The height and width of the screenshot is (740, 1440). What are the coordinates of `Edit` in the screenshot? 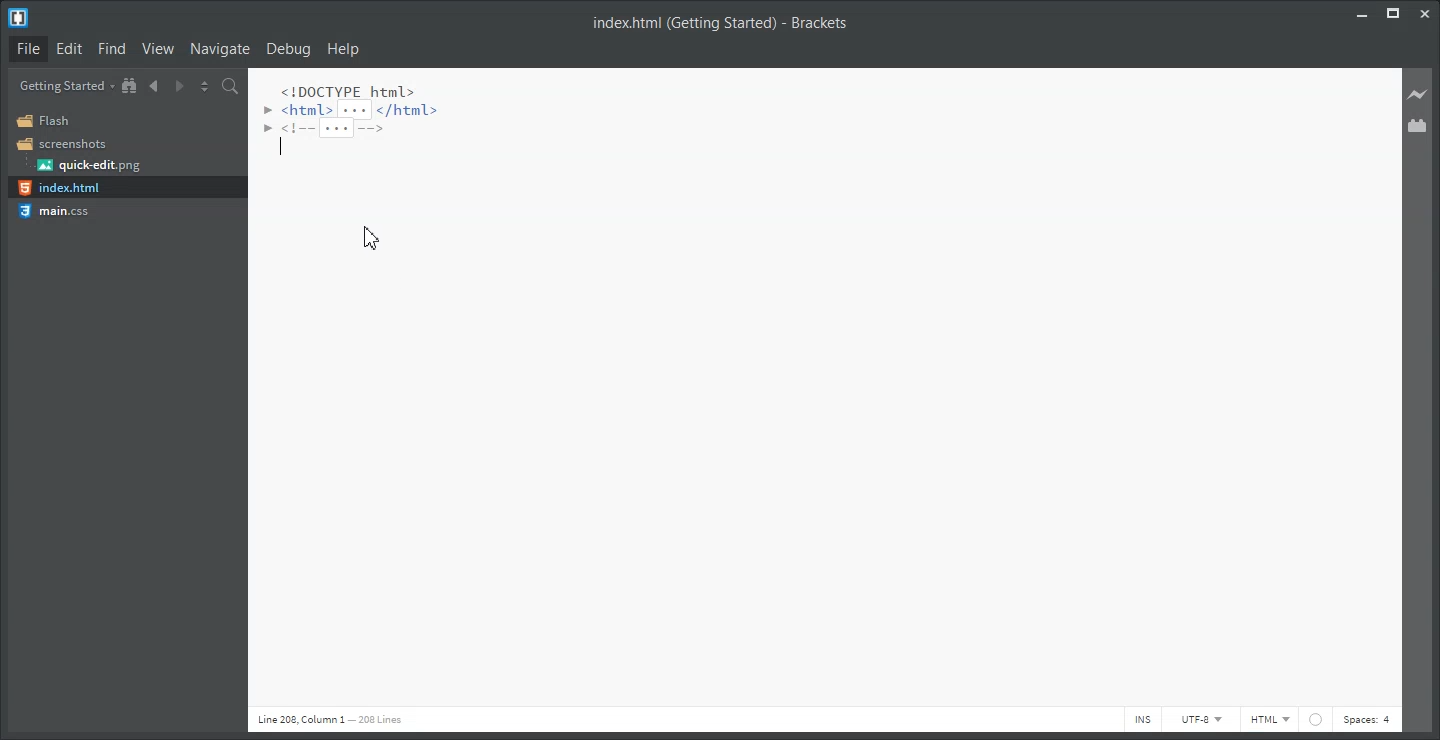 It's located at (70, 48).